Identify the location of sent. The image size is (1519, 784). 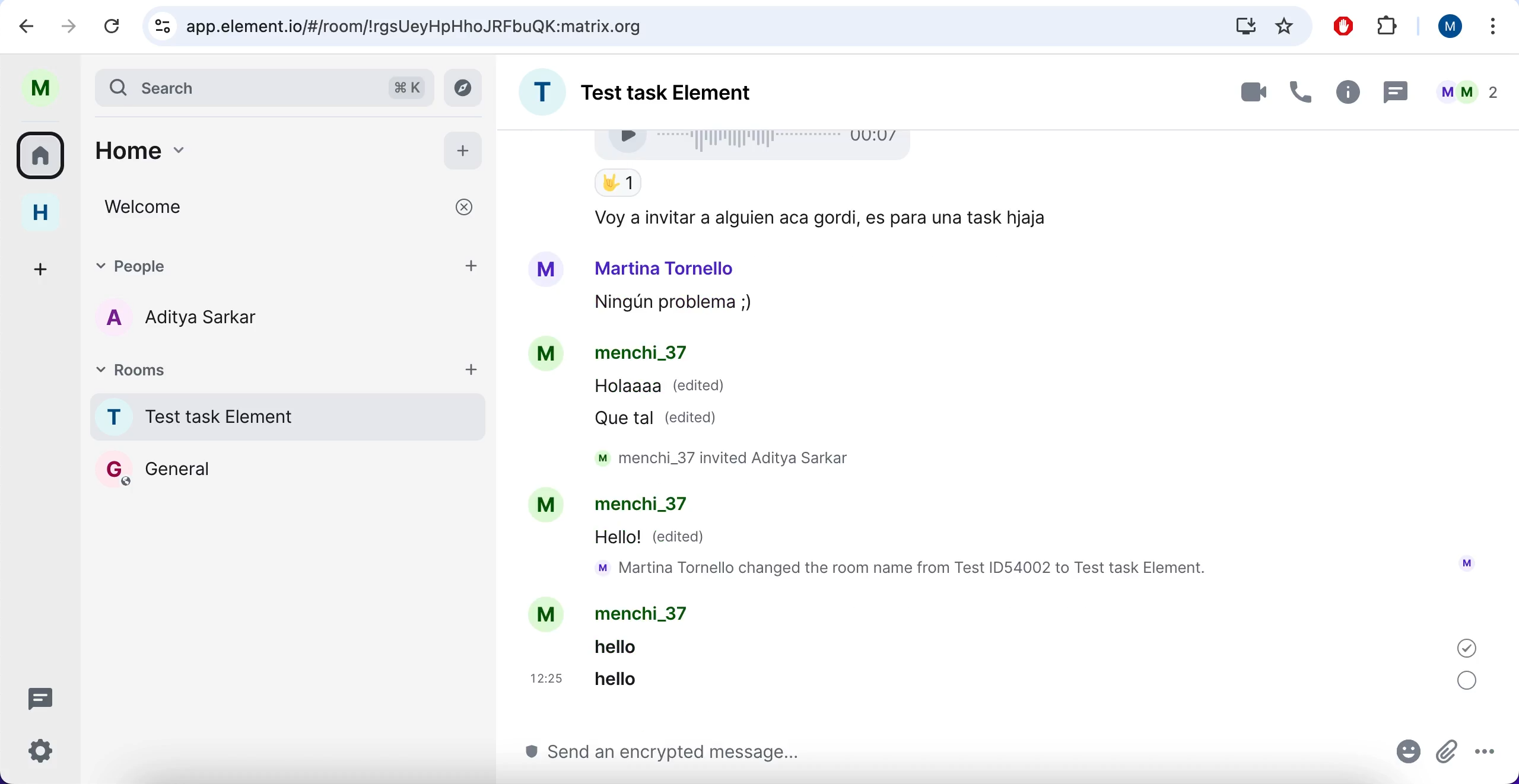
(1466, 647).